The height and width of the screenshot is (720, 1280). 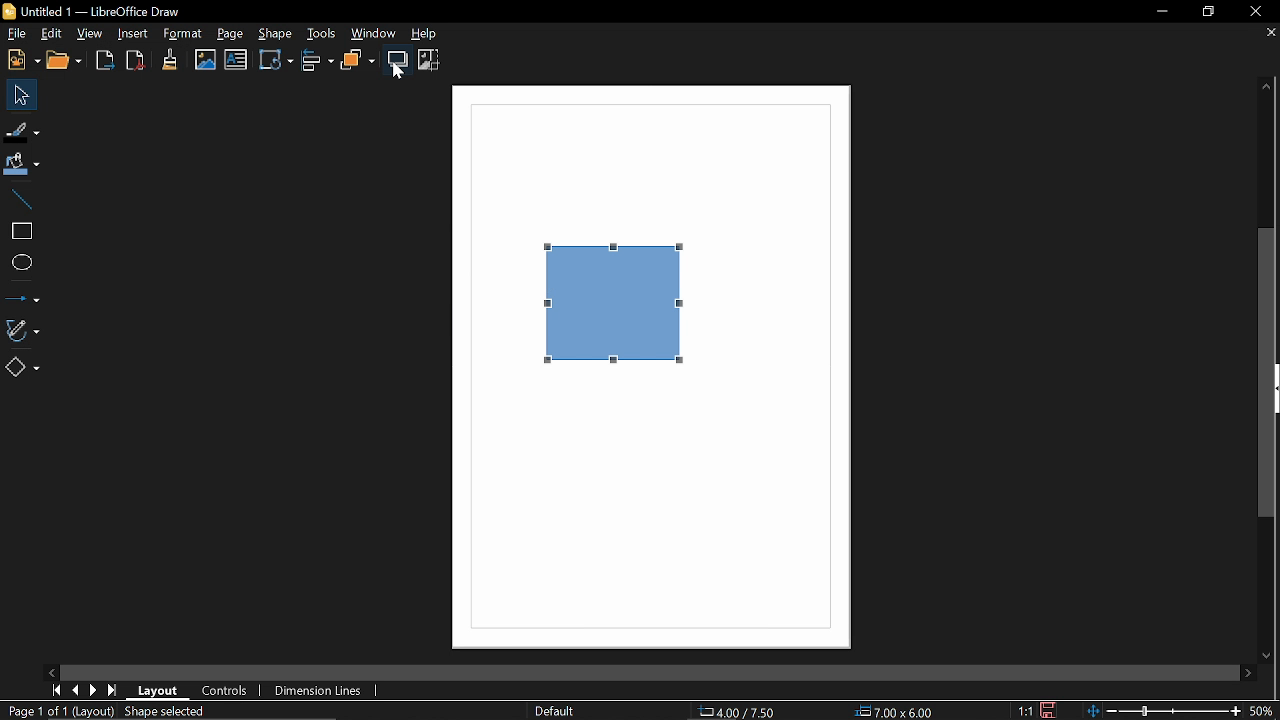 What do you see at coordinates (181, 34) in the screenshot?
I see `Format` at bounding box center [181, 34].